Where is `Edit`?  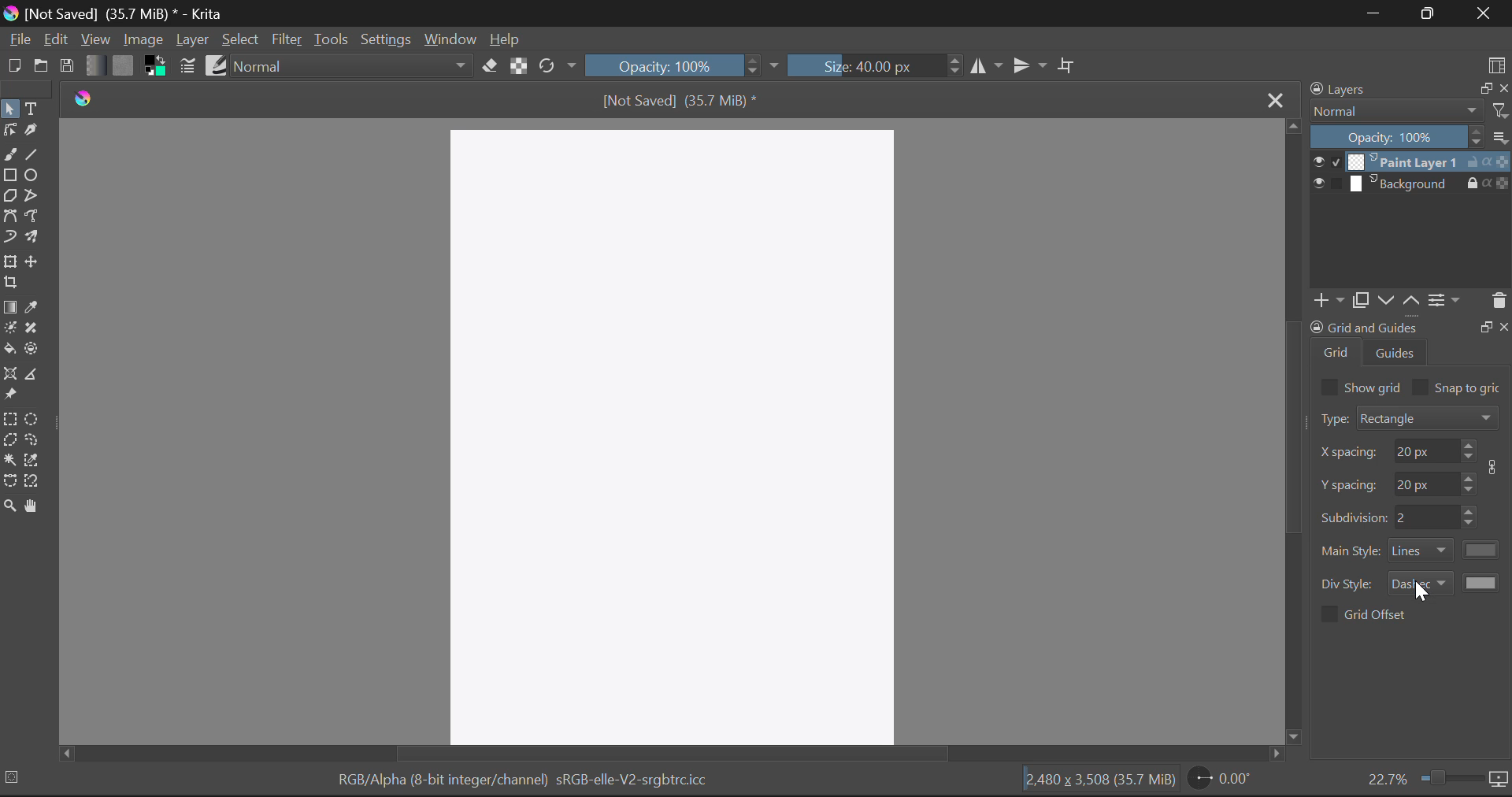 Edit is located at coordinates (55, 39).